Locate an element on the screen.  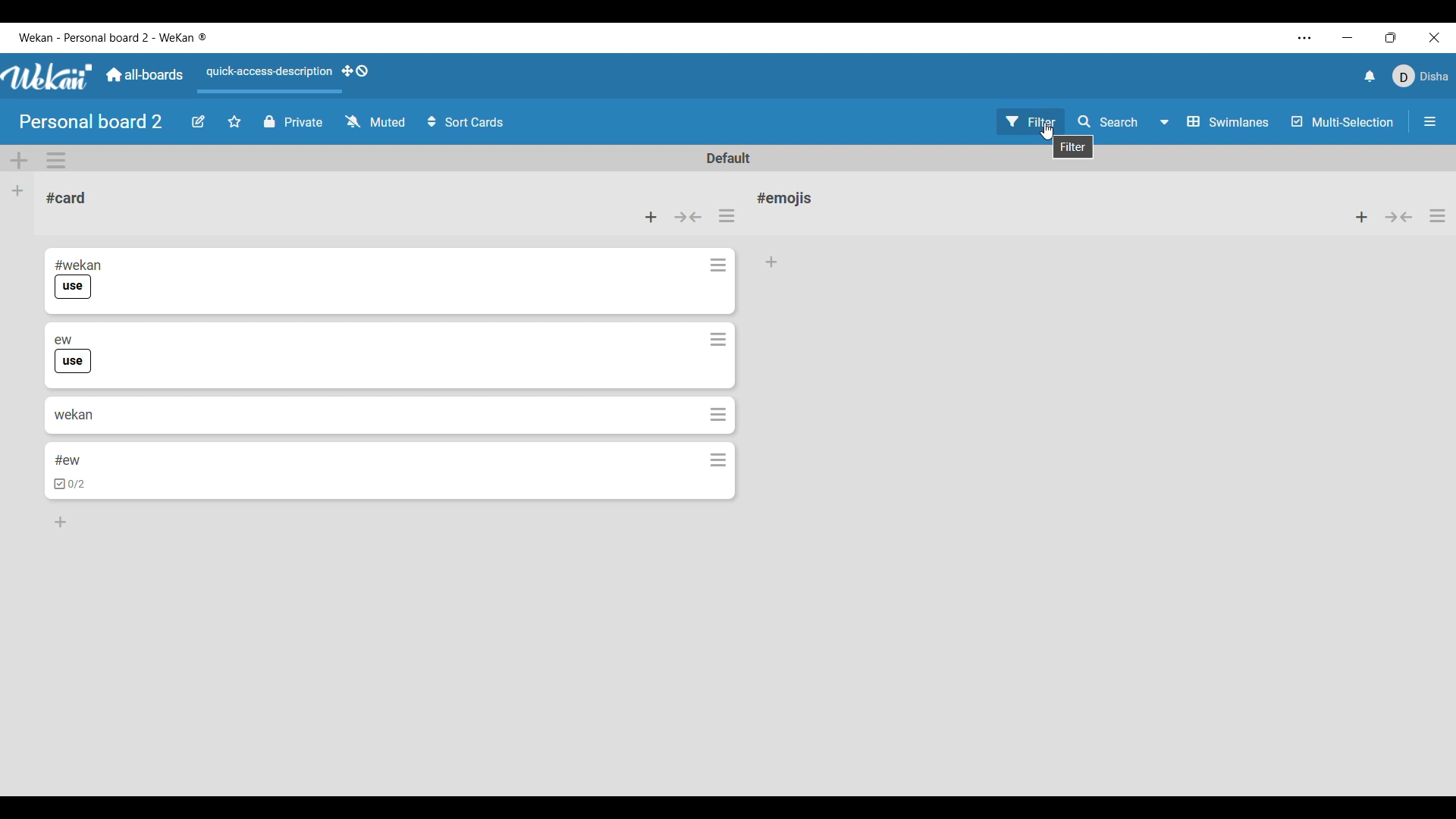
Filter settings is located at coordinates (1031, 121).